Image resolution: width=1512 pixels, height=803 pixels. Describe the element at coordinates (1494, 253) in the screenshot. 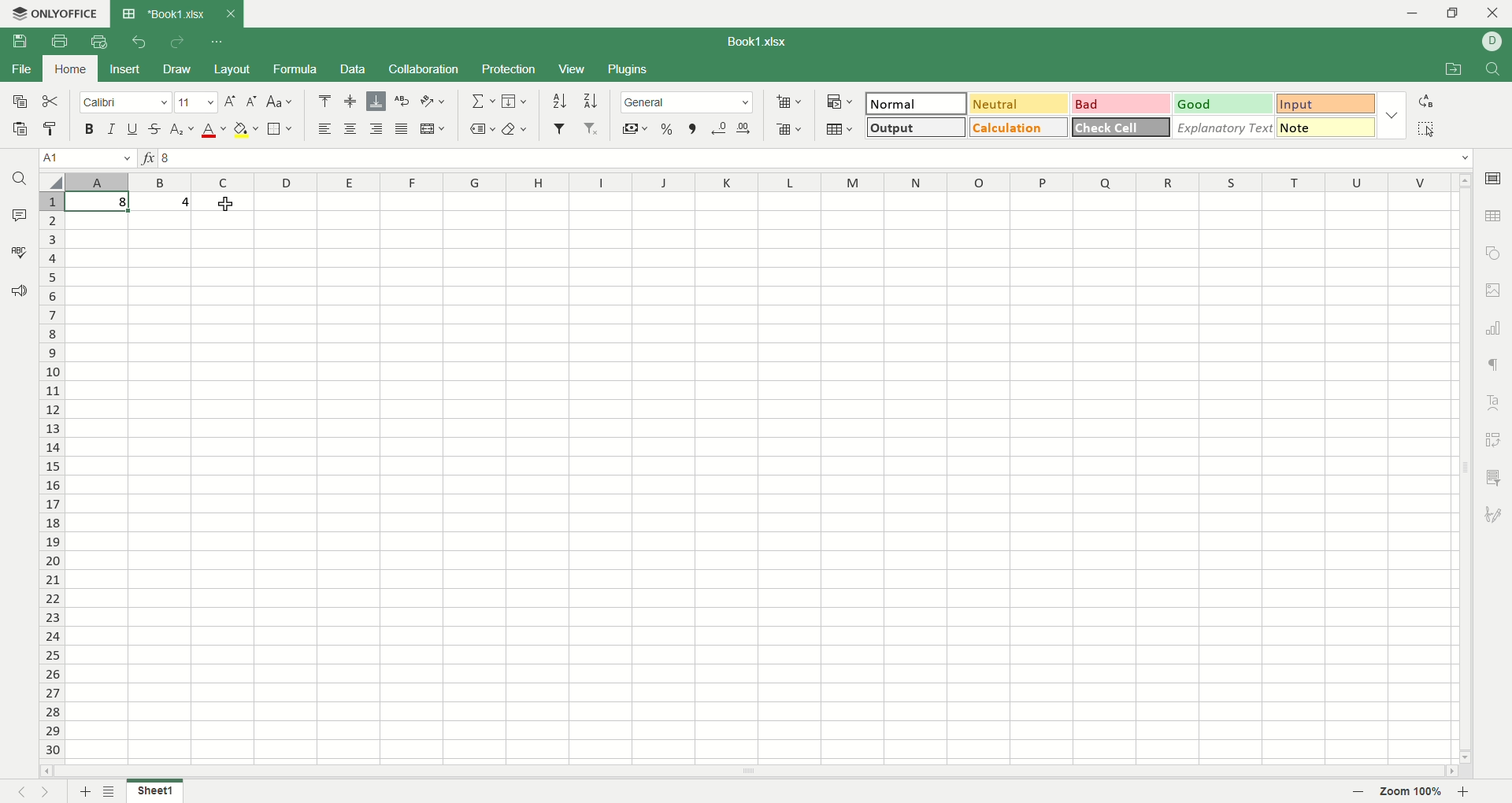

I see `object settings` at that location.